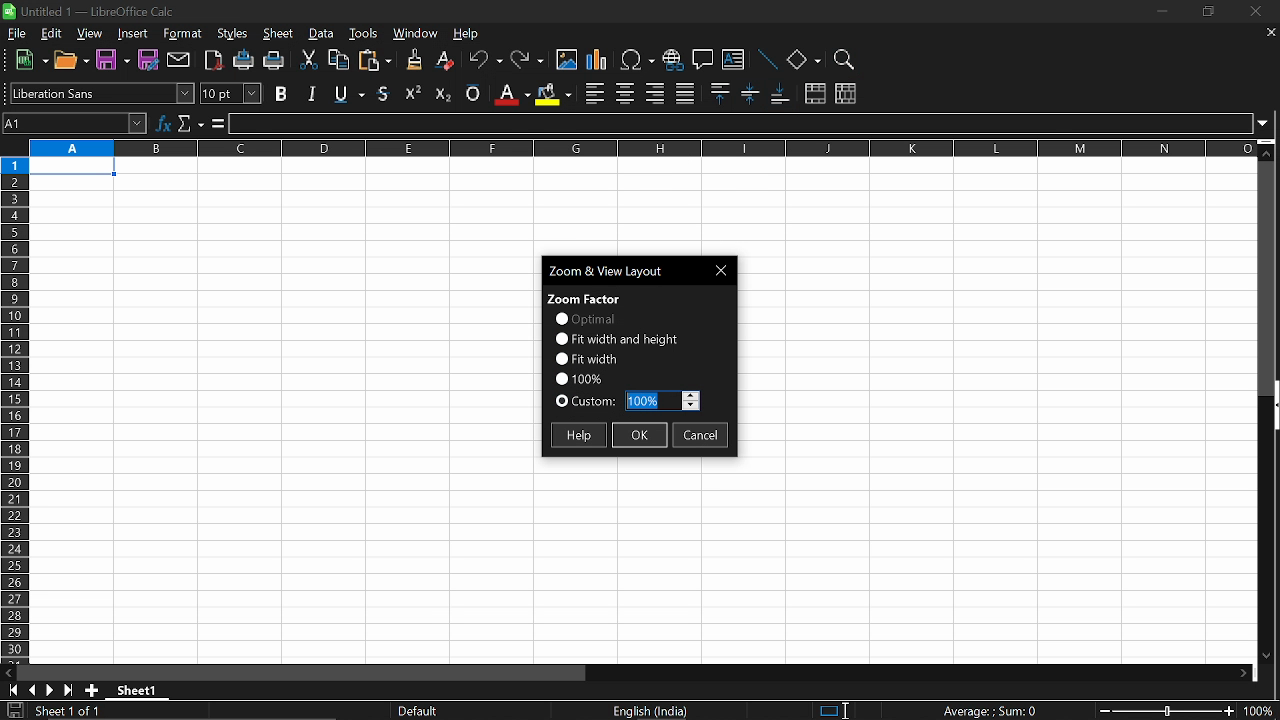 This screenshot has height=720, width=1280. What do you see at coordinates (620, 269) in the screenshot?
I see `current window` at bounding box center [620, 269].